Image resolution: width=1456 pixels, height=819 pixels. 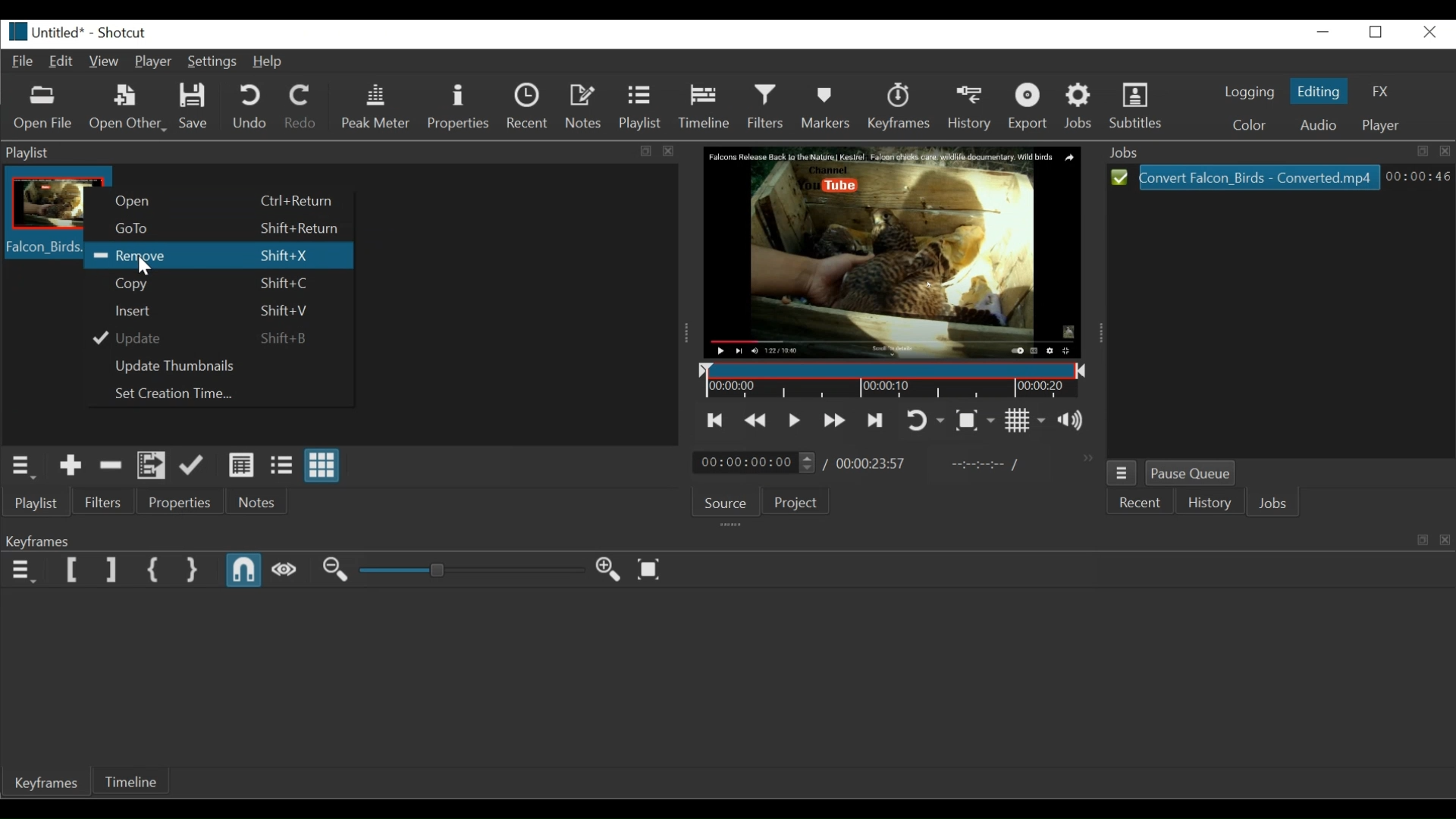 I want to click on 00:00:46(Elapsed Hours: Minutes: Seconds), so click(x=1418, y=176).